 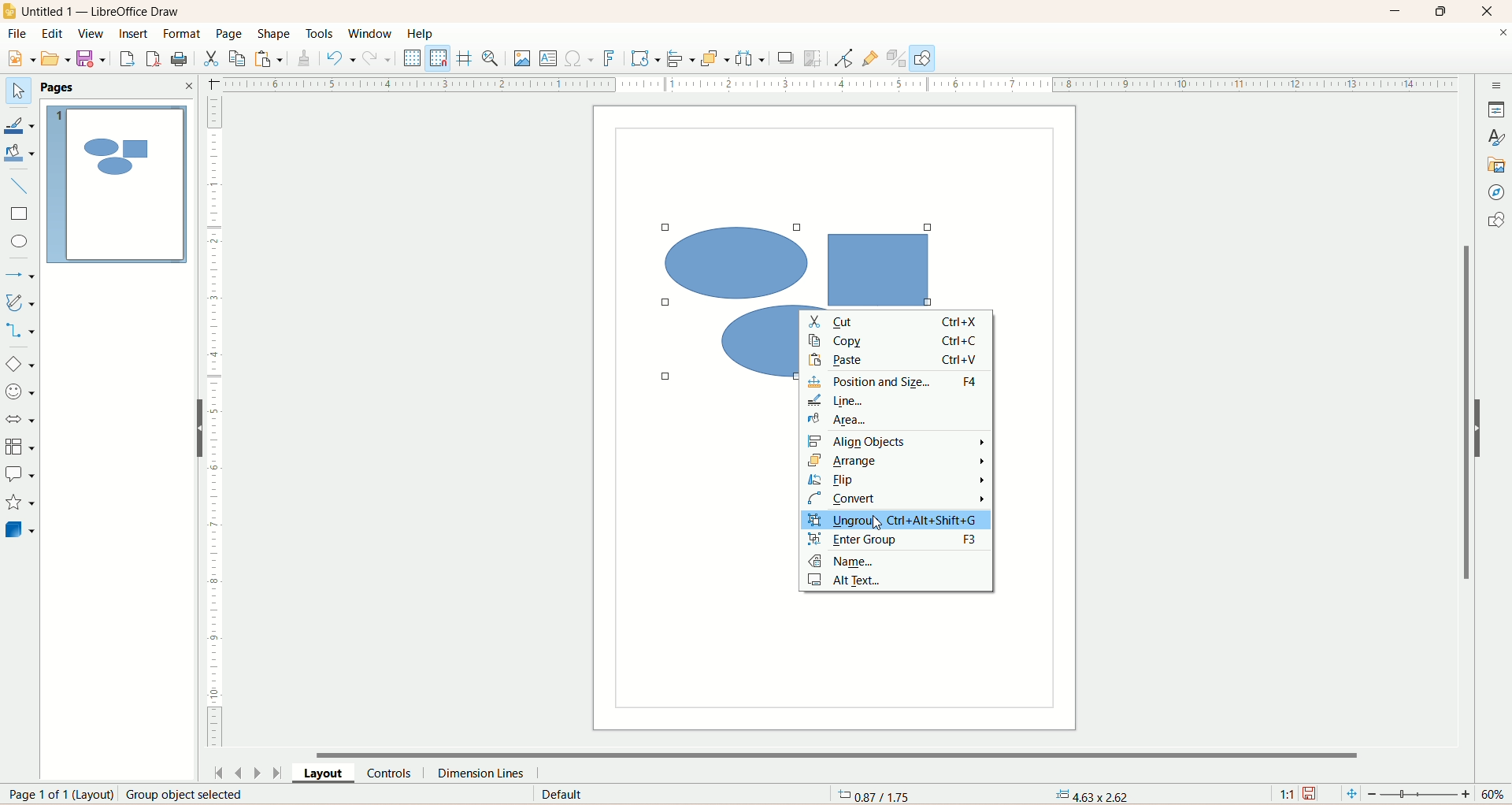 What do you see at coordinates (894, 500) in the screenshot?
I see `convert` at bounding box center [894, 500].